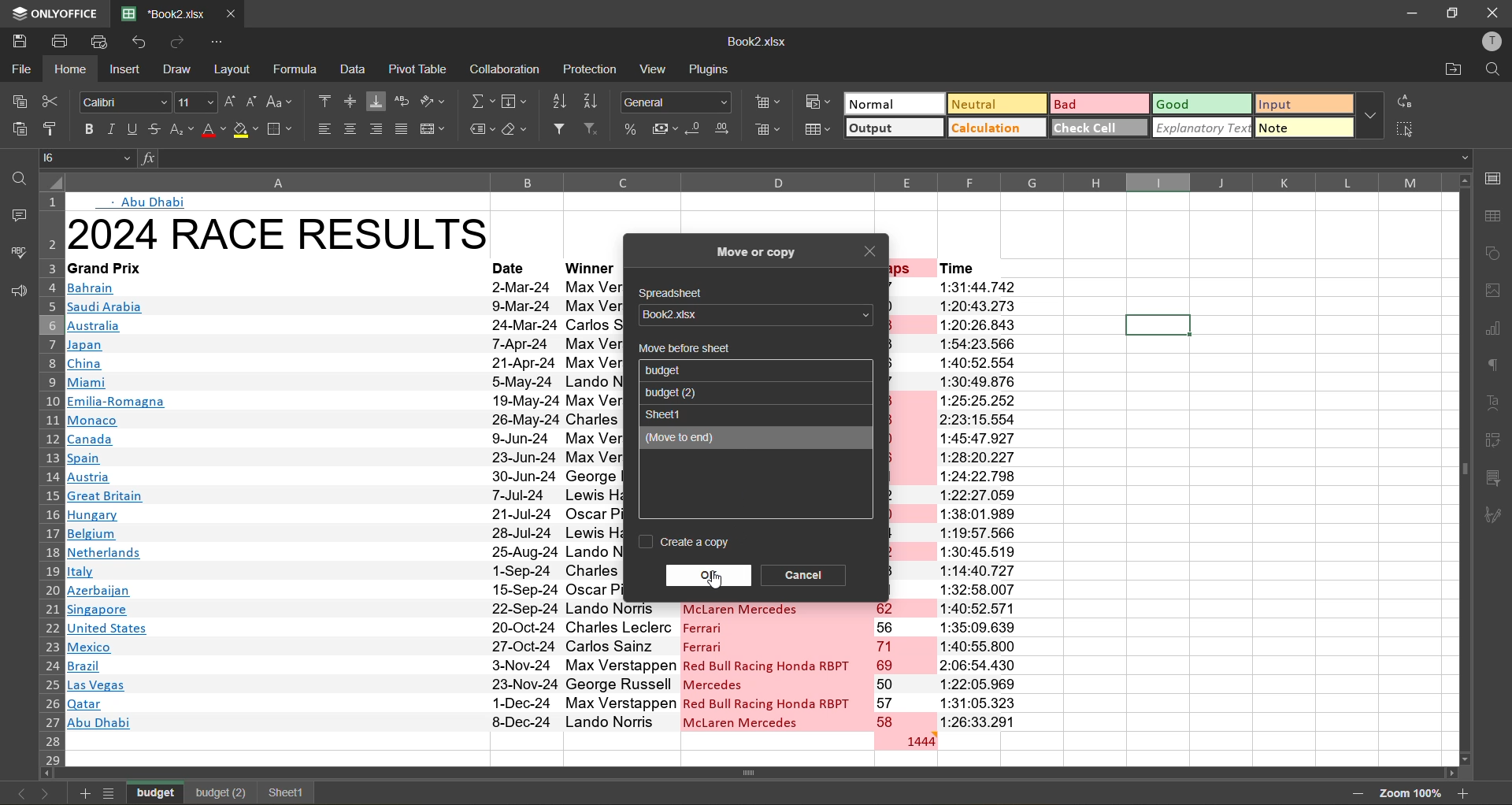 This screenshot has height=805, width=1512. Describe the element at coordinates (786, 774) in the screenshot. I see `scroll bar` at that location.